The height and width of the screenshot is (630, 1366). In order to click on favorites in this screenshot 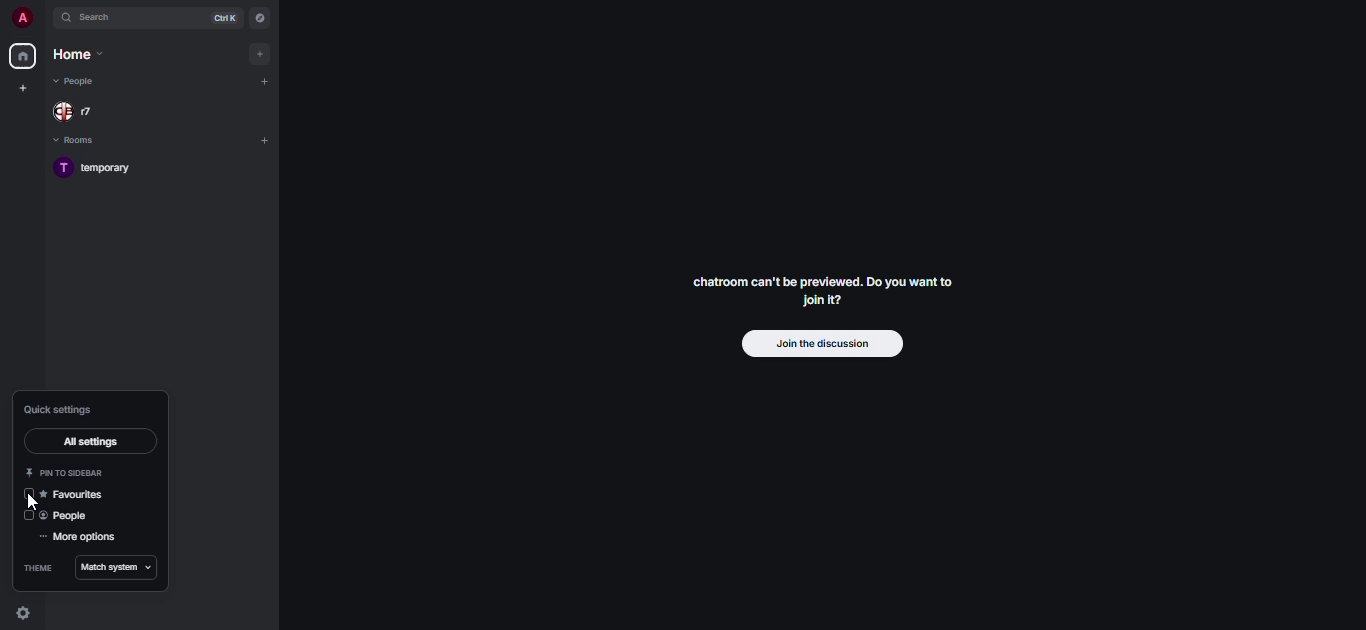, I will do `click(75, 495)`.